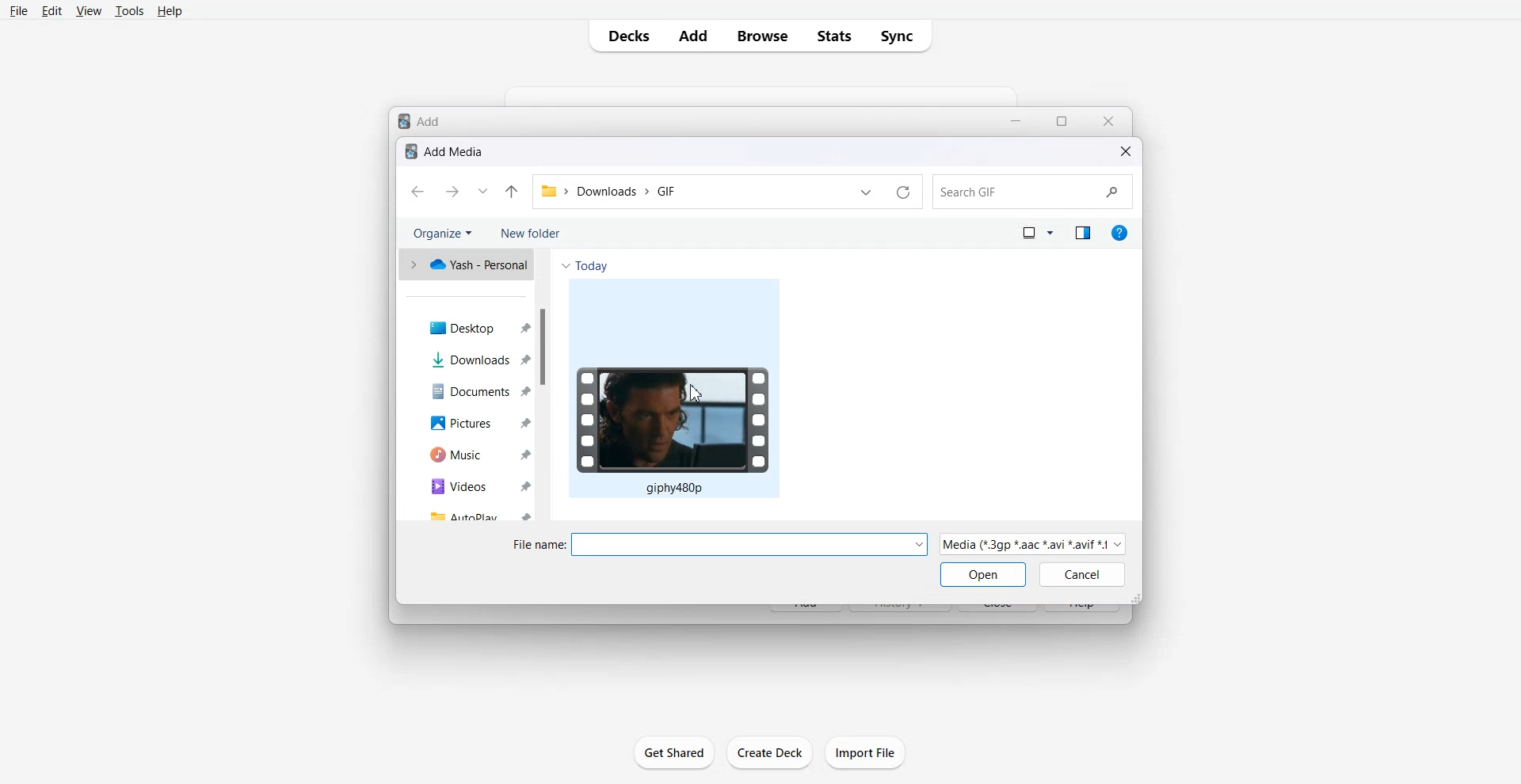 The height and width of the screenshot is (784, 1521). I want to click on Desktop, so click(471, 326).